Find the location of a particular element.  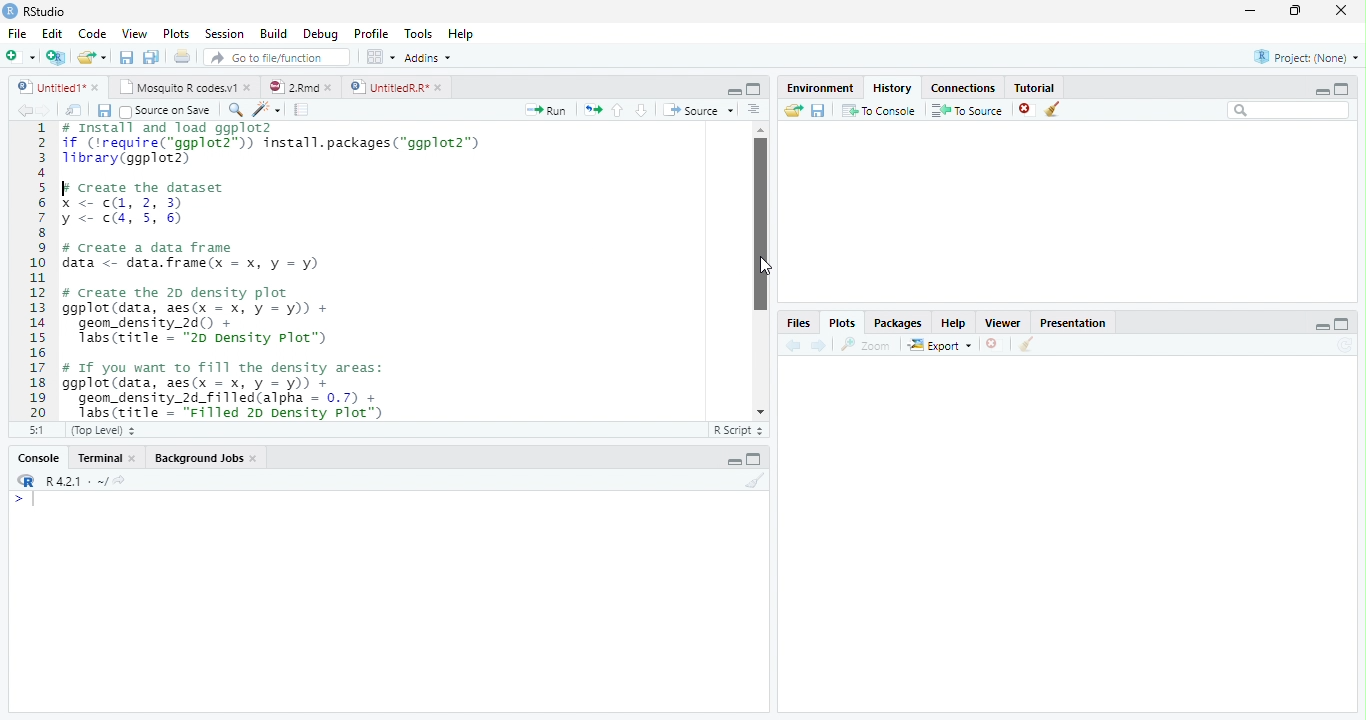

Profile is located at coordinates (372, 34).